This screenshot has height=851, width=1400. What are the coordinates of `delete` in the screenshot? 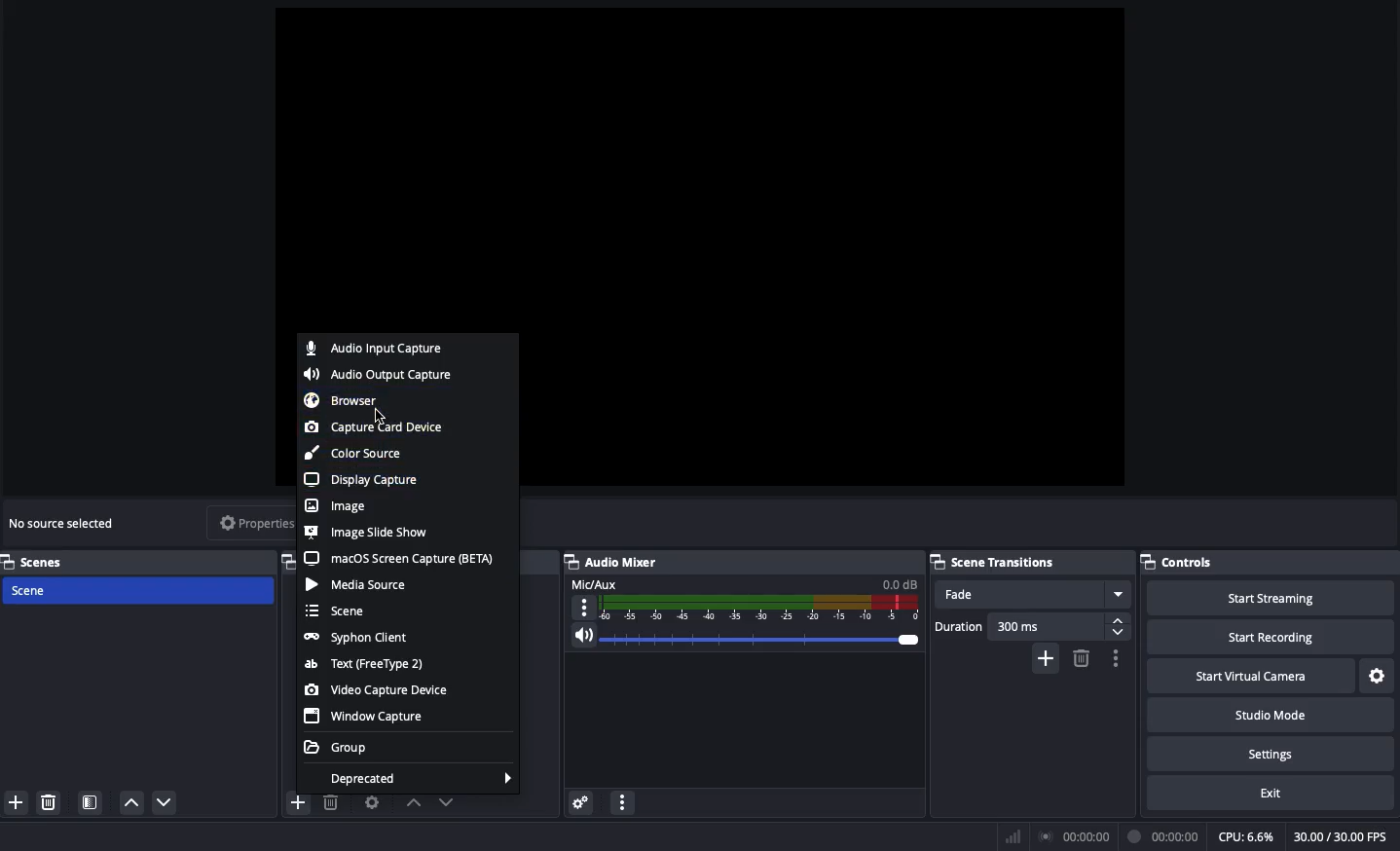 It's located at (330, 806).